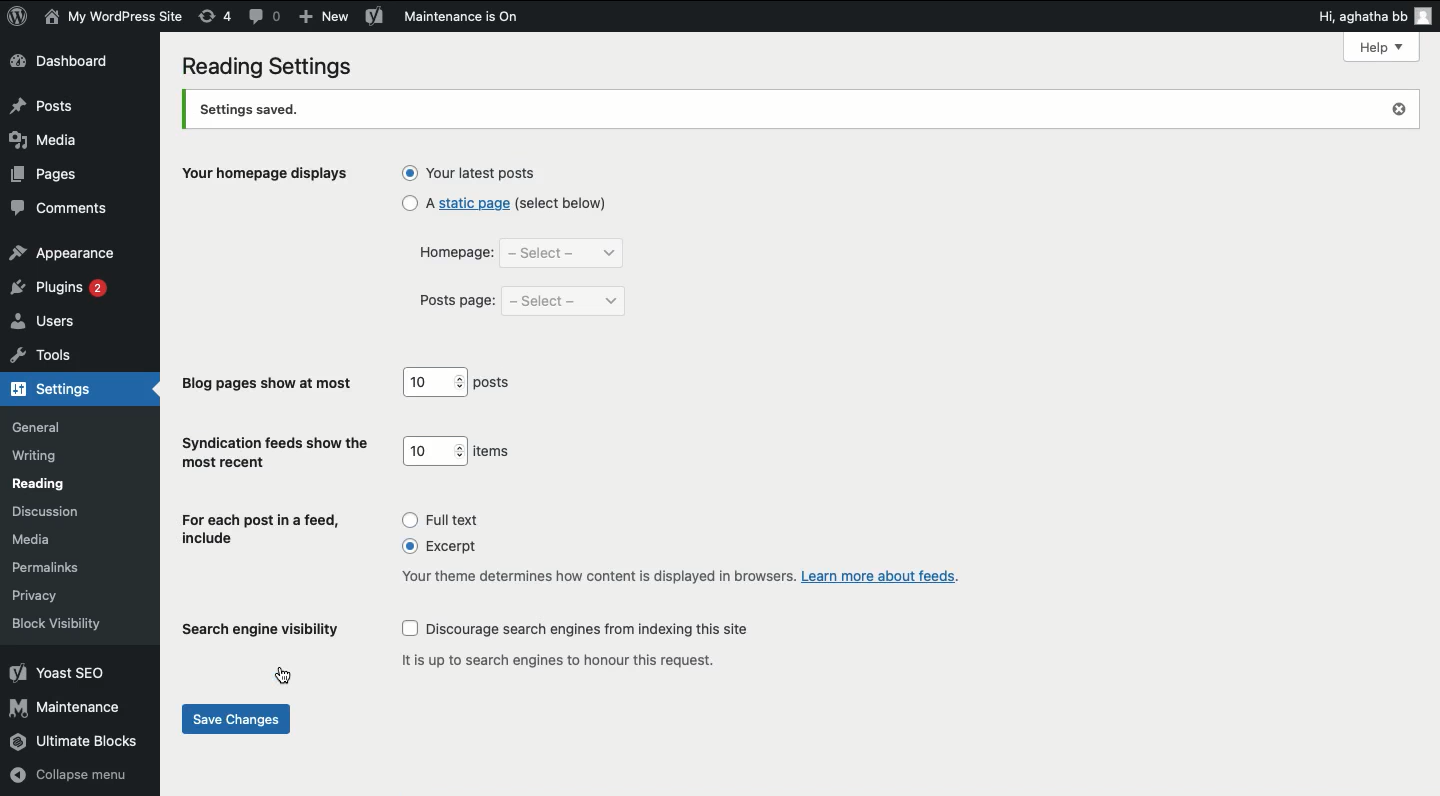  I want to click on my wordpress site, so click(115, 18).